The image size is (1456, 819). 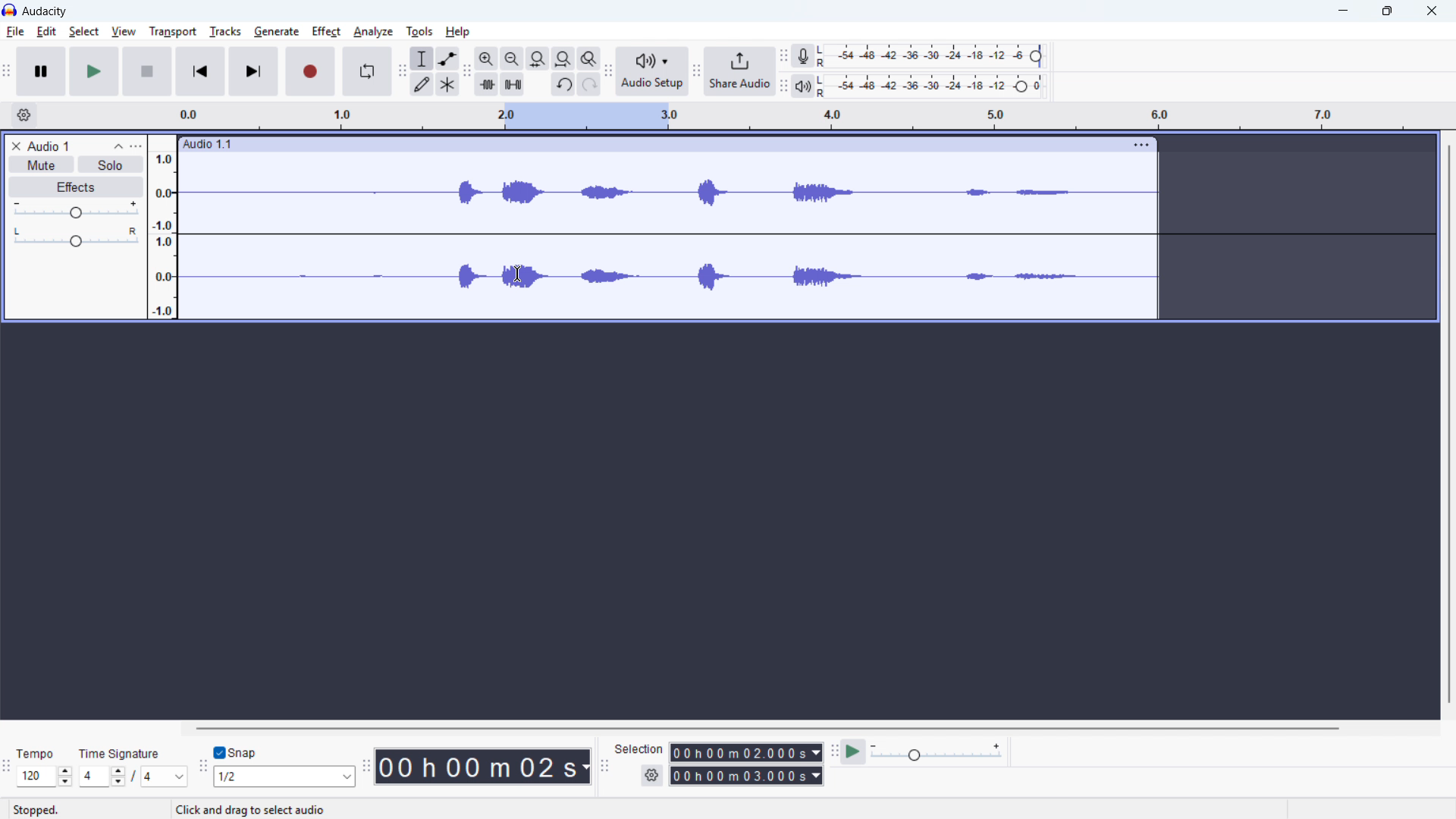 I want to click on minimise, so click(x=1345, y=12).